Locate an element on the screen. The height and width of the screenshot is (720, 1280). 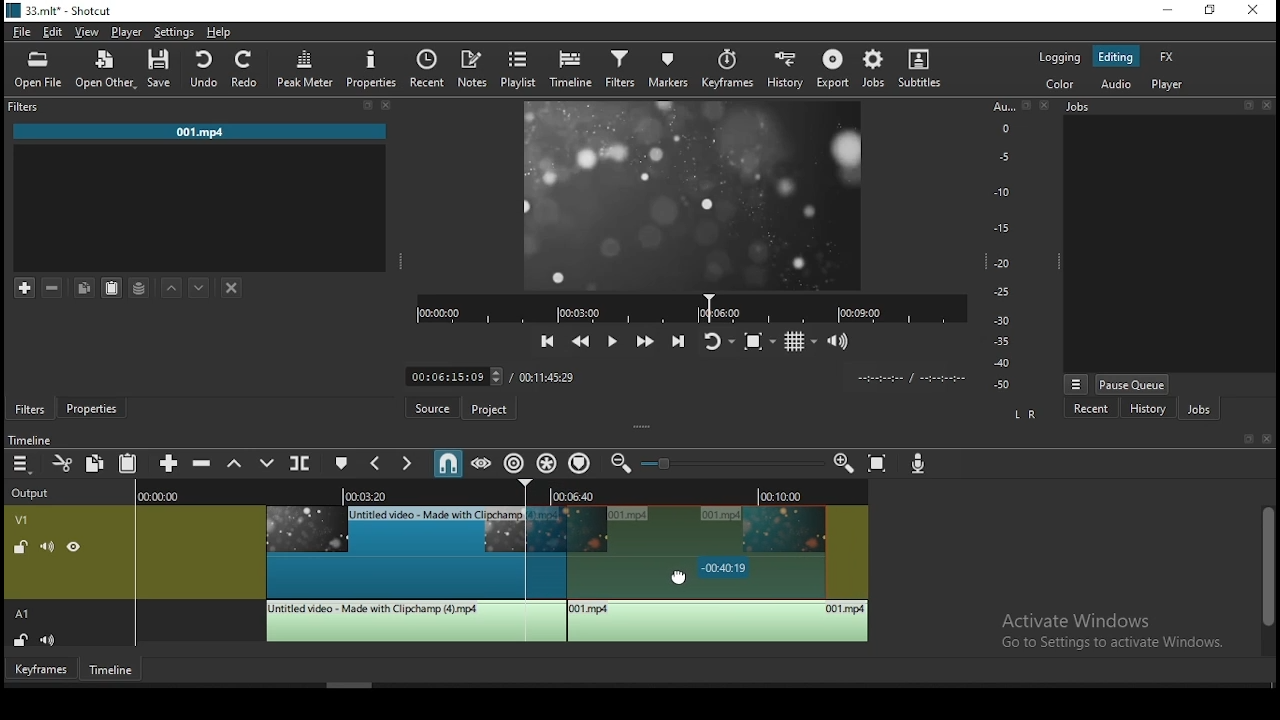
video preview is located at coordinates (695, 193).